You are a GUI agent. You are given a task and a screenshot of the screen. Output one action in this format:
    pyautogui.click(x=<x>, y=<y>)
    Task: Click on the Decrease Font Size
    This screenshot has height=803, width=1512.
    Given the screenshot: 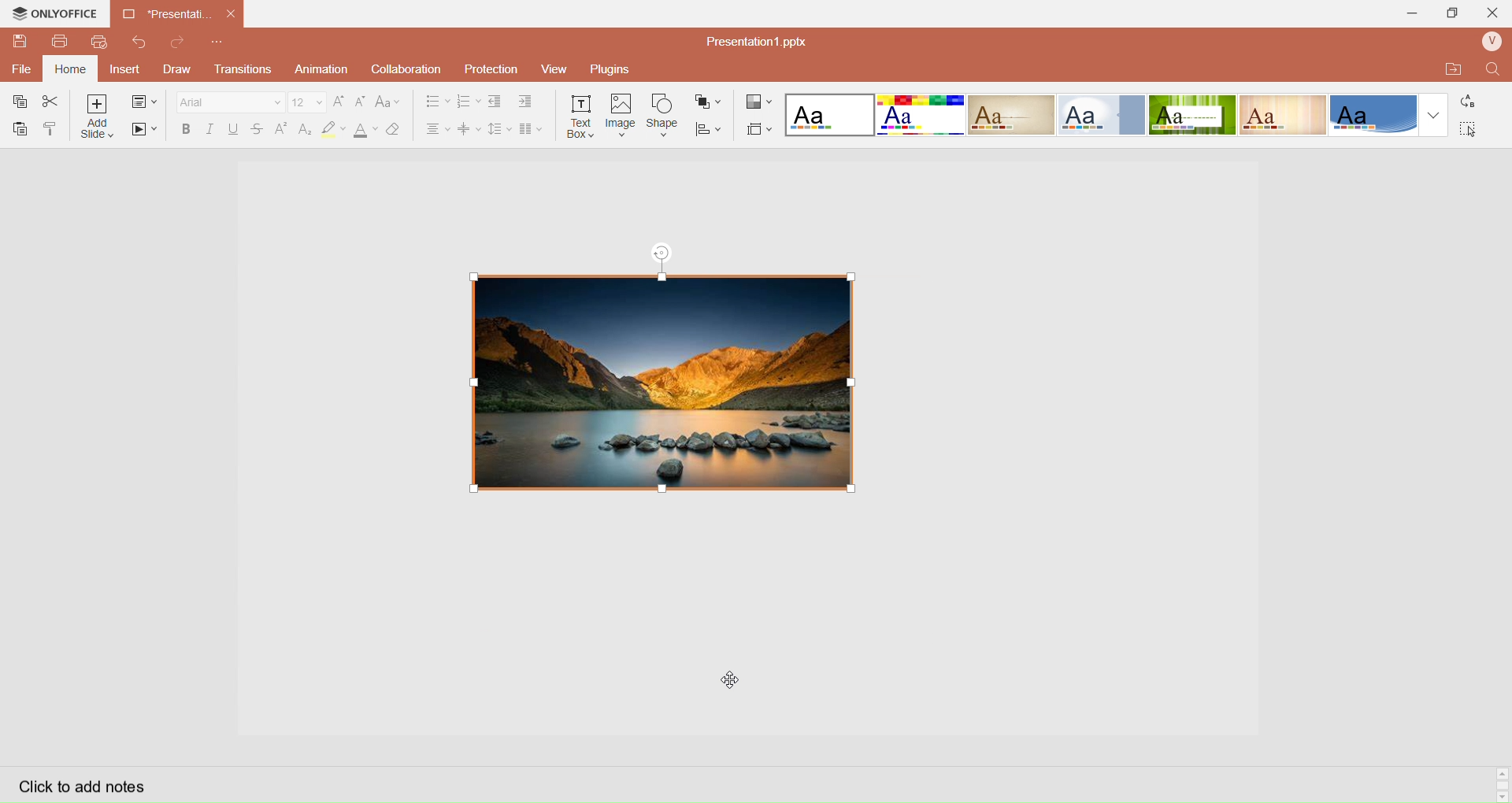 What is the action you would take?
    pyautogui.click(x=361, y=102)
    